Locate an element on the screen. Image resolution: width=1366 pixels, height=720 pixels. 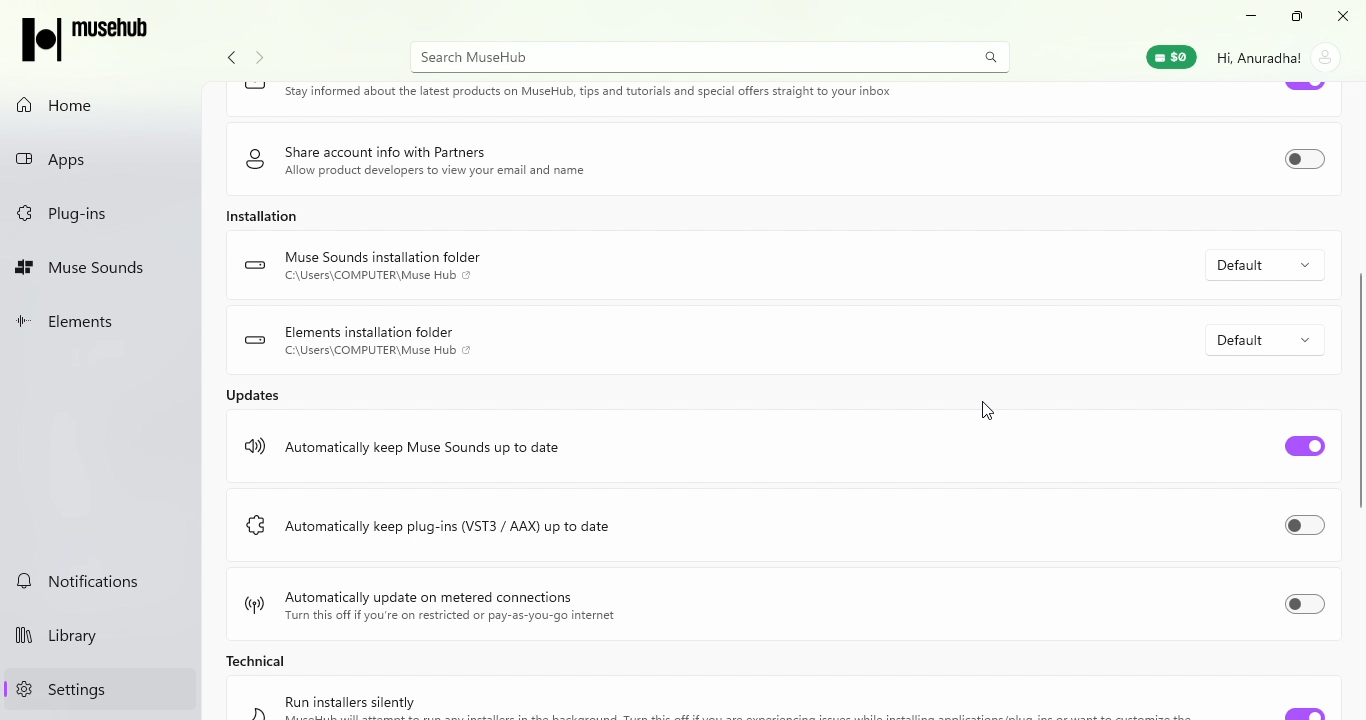
Toggle is located at coordinates (1304, 603).